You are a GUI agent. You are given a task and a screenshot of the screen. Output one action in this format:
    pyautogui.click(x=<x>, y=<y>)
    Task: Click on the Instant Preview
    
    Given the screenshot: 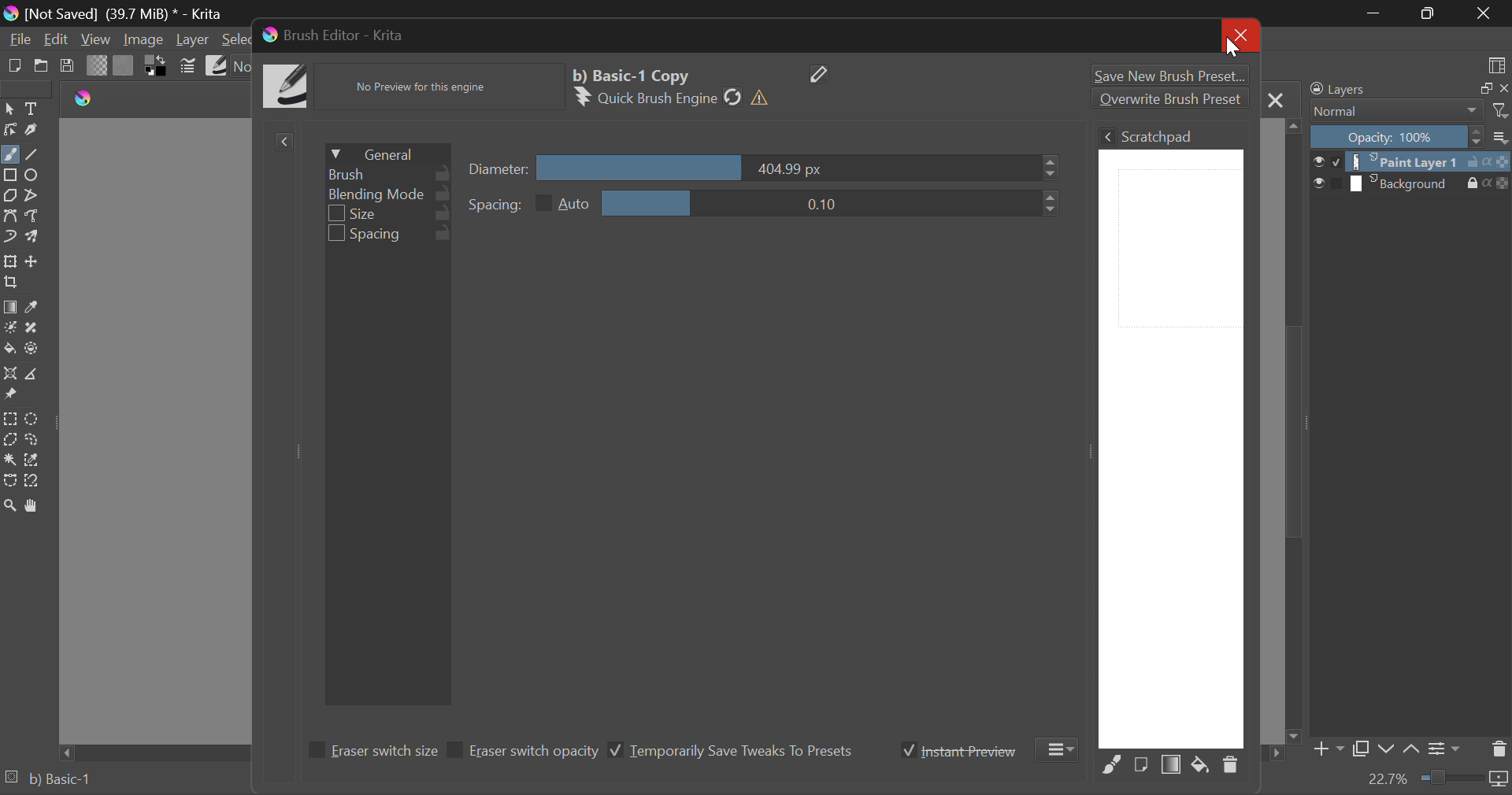 What is the action you would take?
    pyautogui.click(x=959, y=750)
    